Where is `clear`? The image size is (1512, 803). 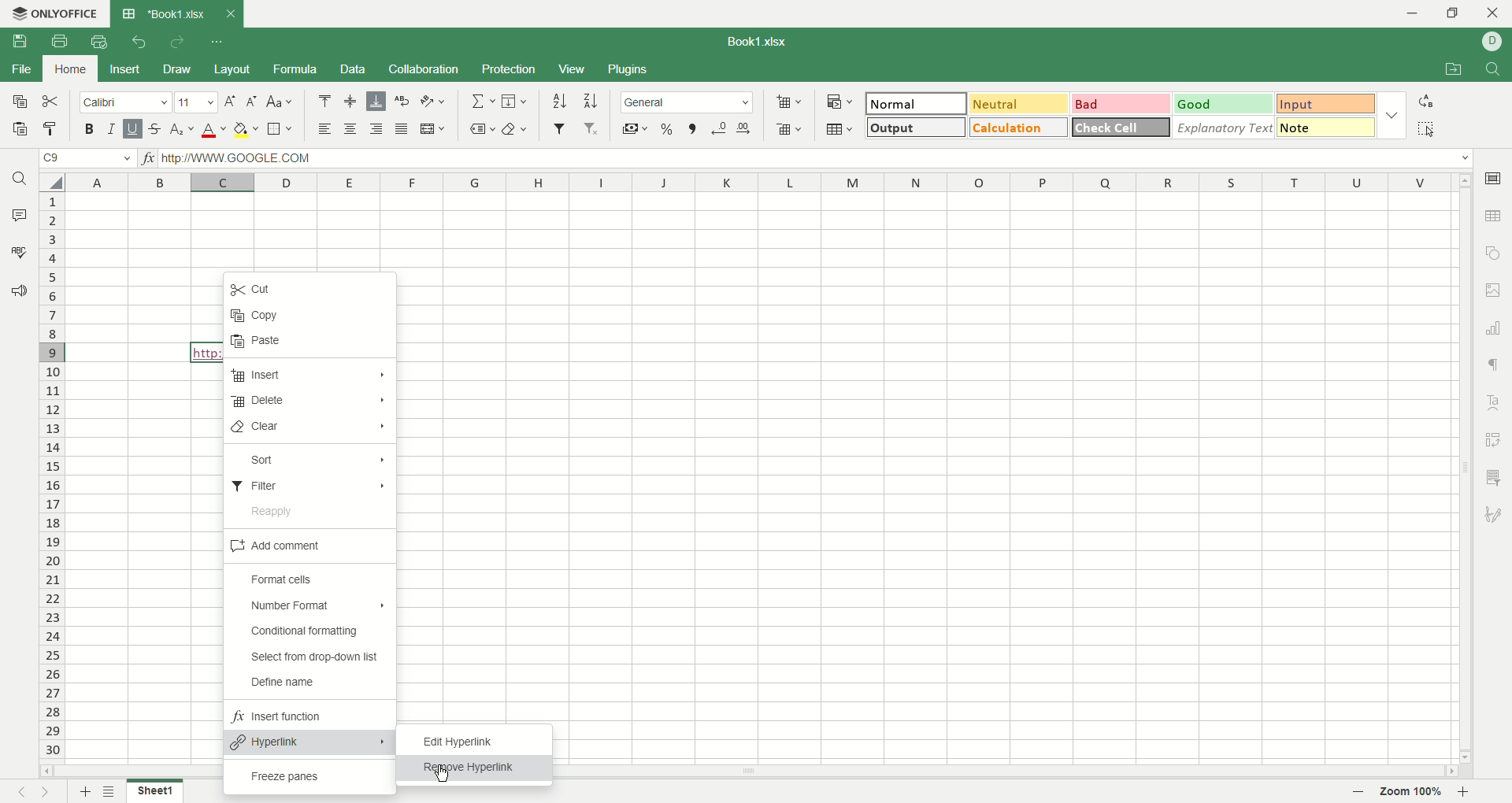 clear is located at coordinates (307, 427).